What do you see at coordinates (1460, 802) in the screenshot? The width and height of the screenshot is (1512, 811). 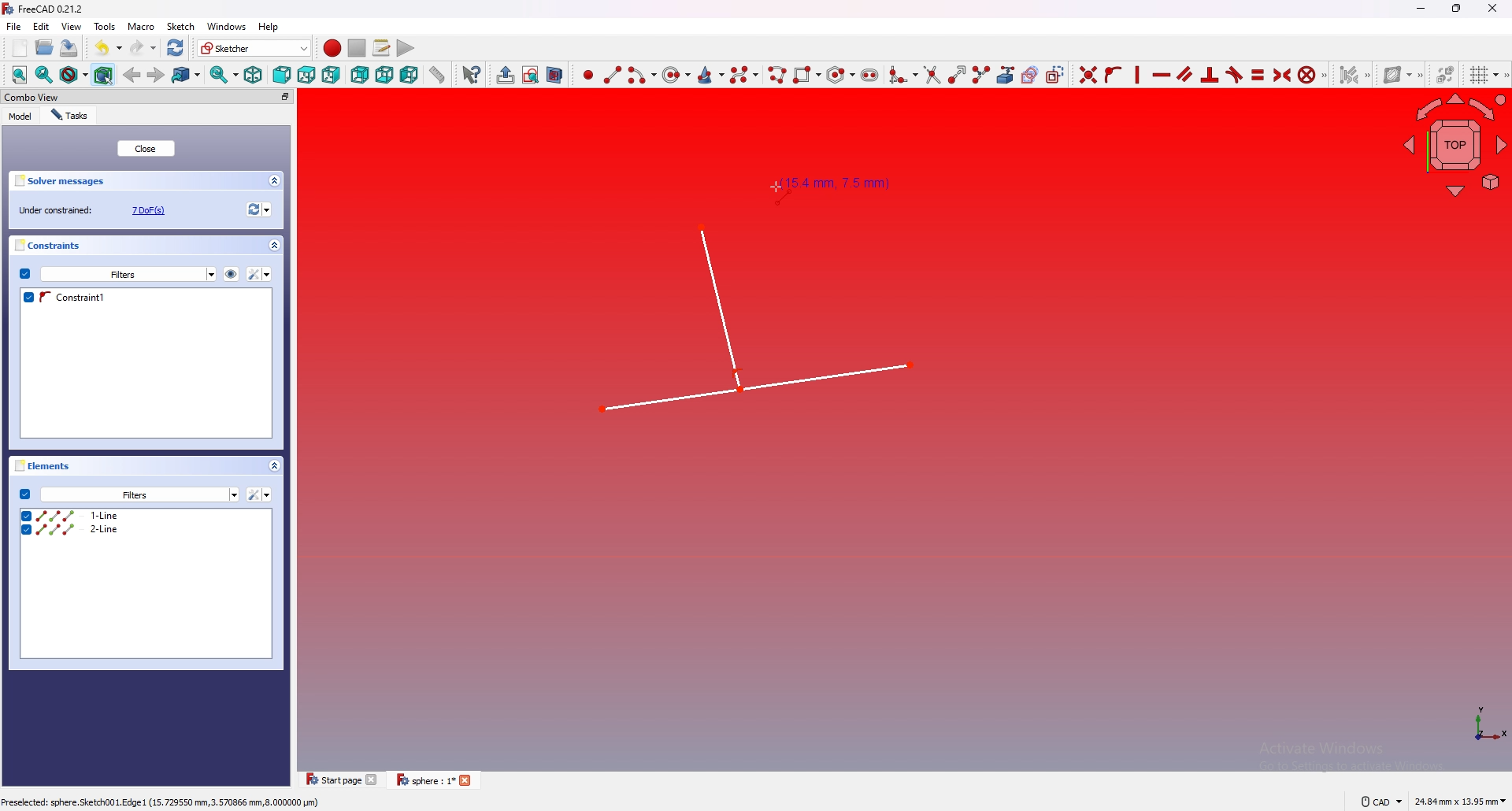 I see `24.84 mm x 13.95 mm` at bounding box center [1460, 802].